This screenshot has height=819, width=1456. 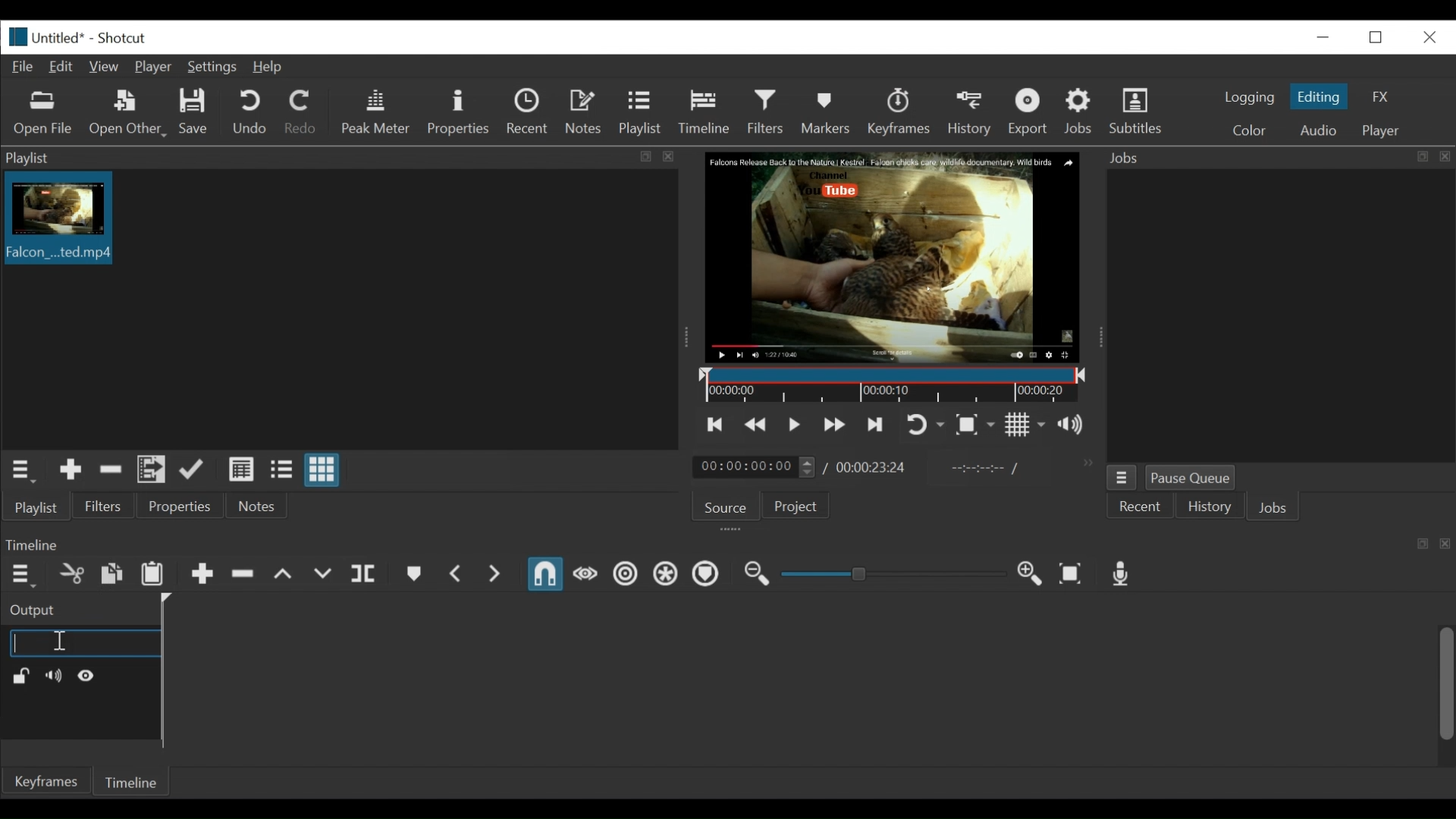 What do you see at coordinates (1275, 158) in the screenshot?
I see `Jobs Panel` at bounding box center [1275, 158].